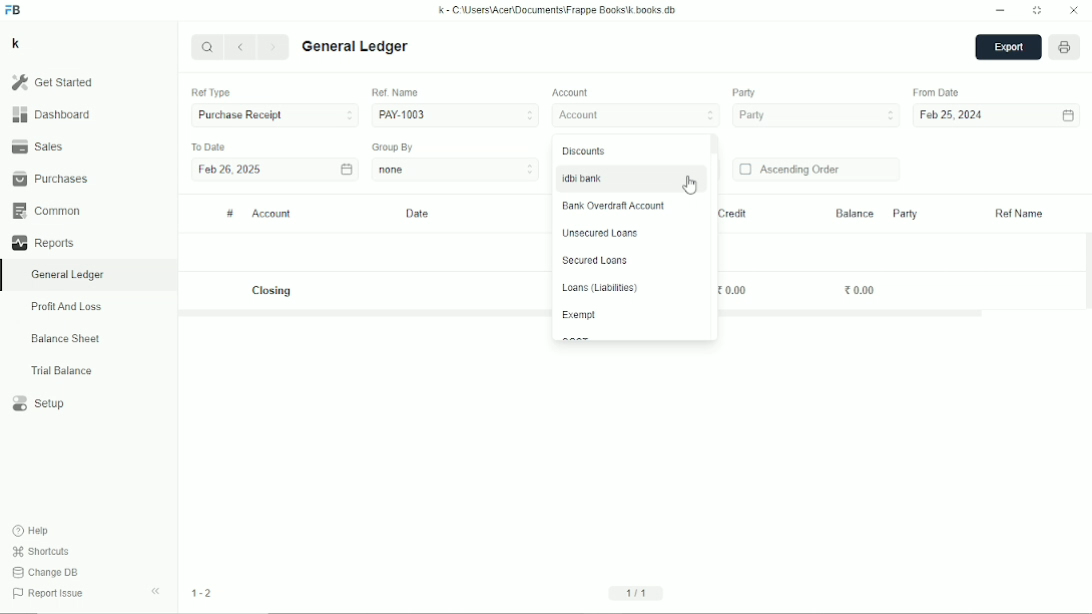  I want to click on Hide sidebar, so click(156, 592).